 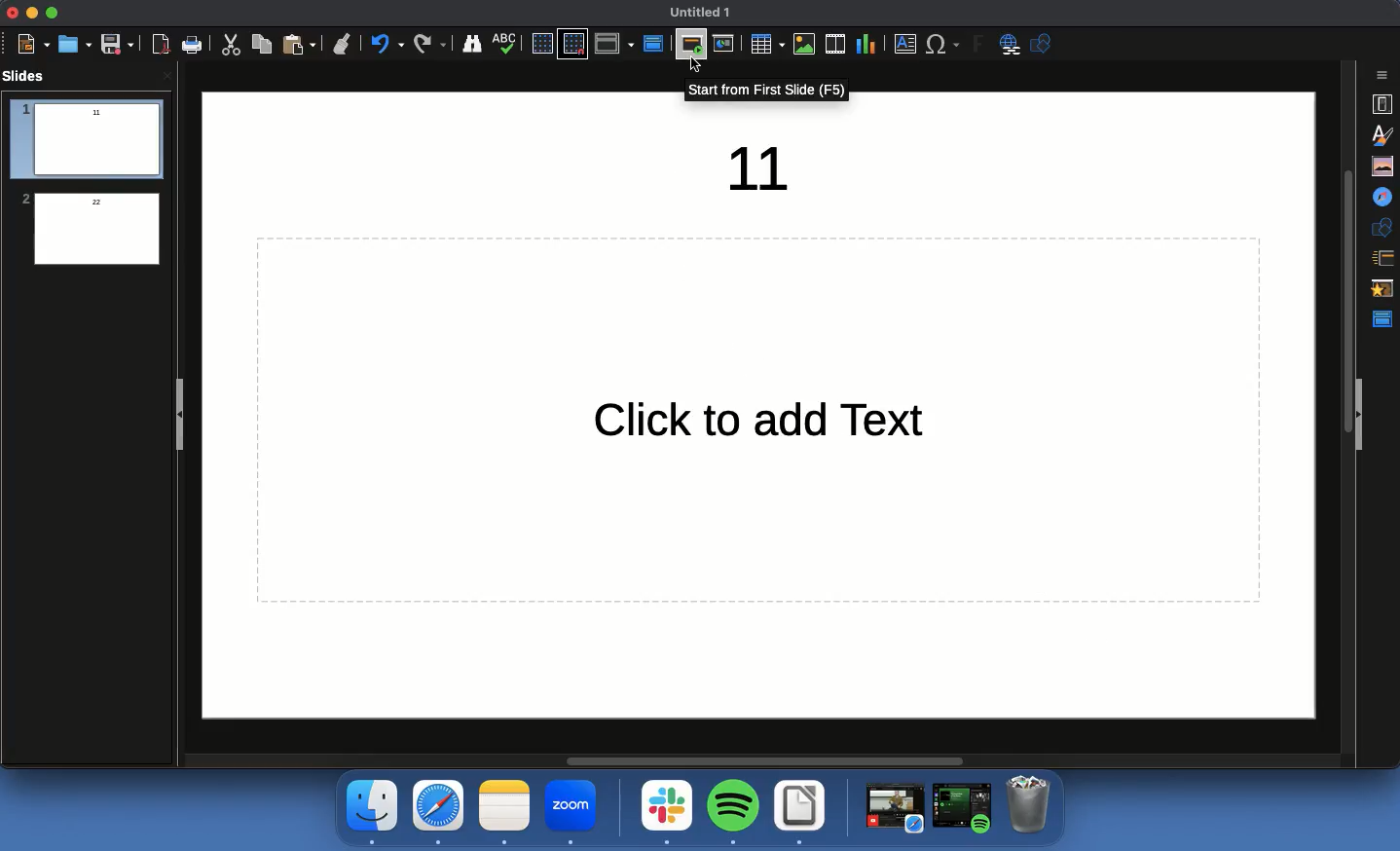 I want to click on Animation, so click(x=1384, y=290).